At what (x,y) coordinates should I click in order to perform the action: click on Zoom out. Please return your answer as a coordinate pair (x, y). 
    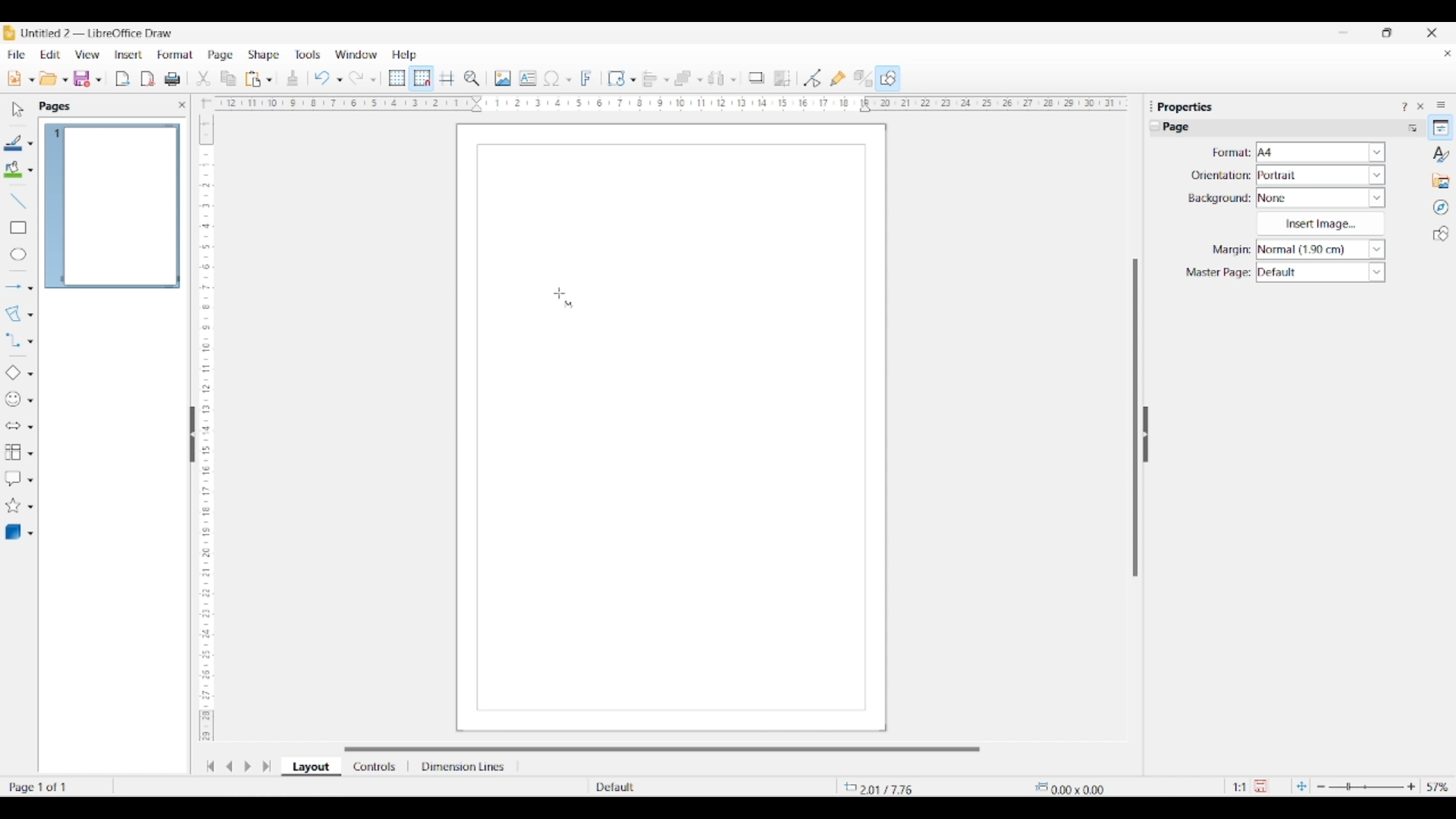
    Looking at the image, I should click on (1321, 787).